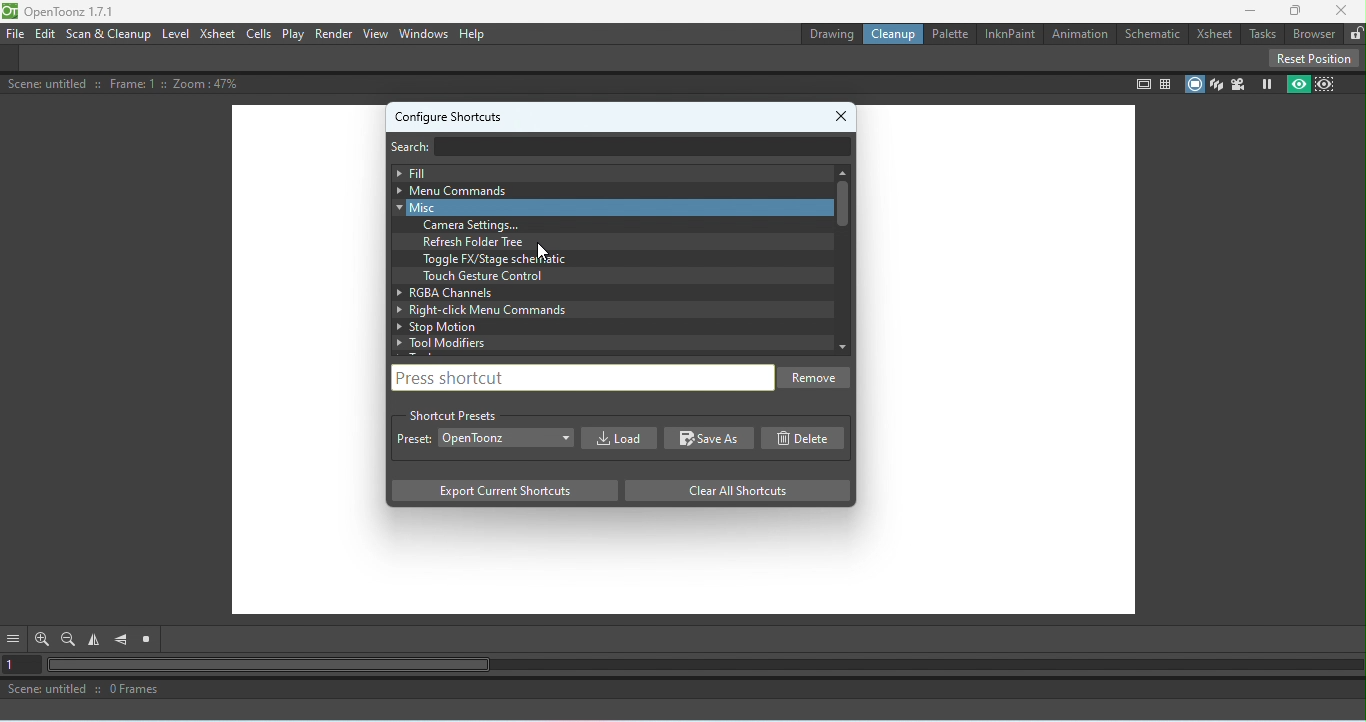  What do you see at coordinates (294, 34) in the screenshot?
I see `Play` at bounding box center [294, 34].